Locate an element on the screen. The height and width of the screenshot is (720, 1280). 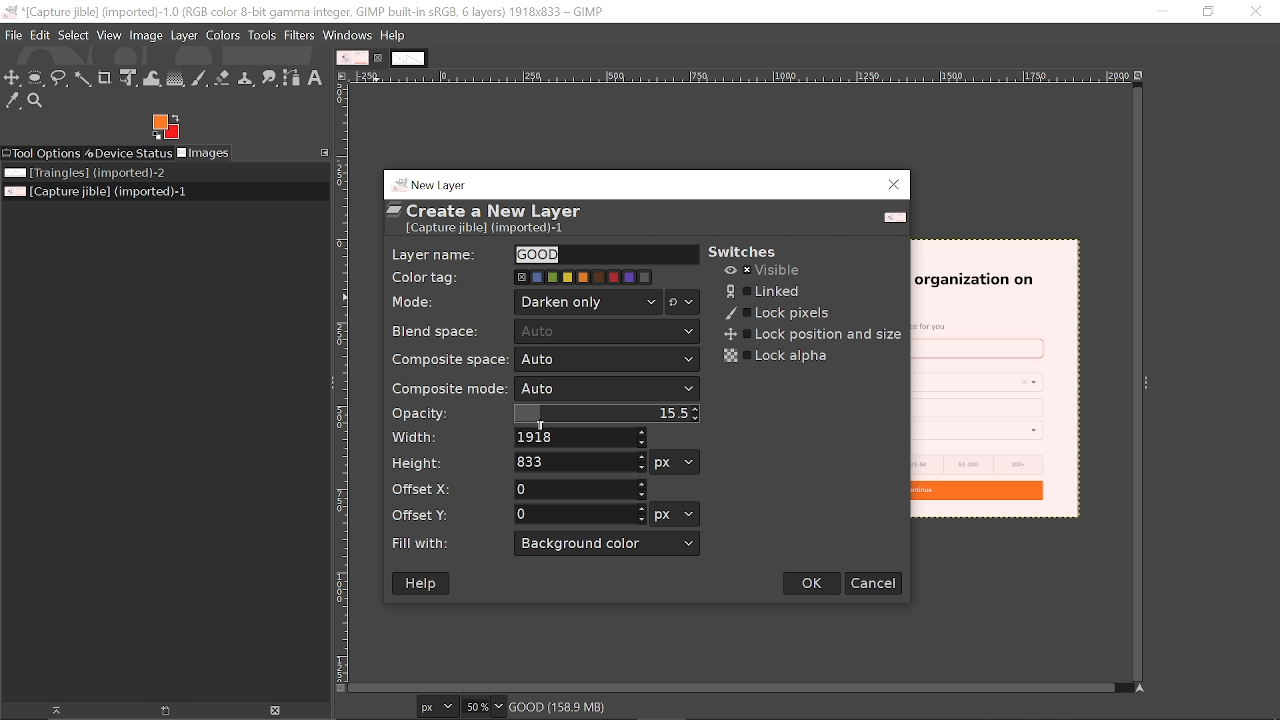
Edit is located at coordinates (40, 35).